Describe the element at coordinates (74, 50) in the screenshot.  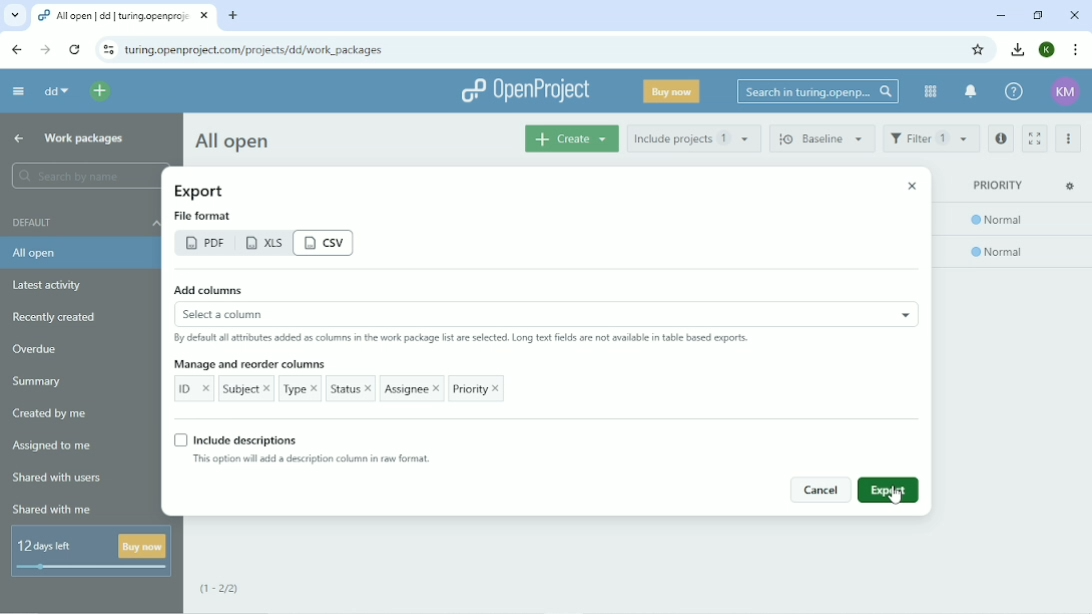
I see `Reload this page ` at that location.